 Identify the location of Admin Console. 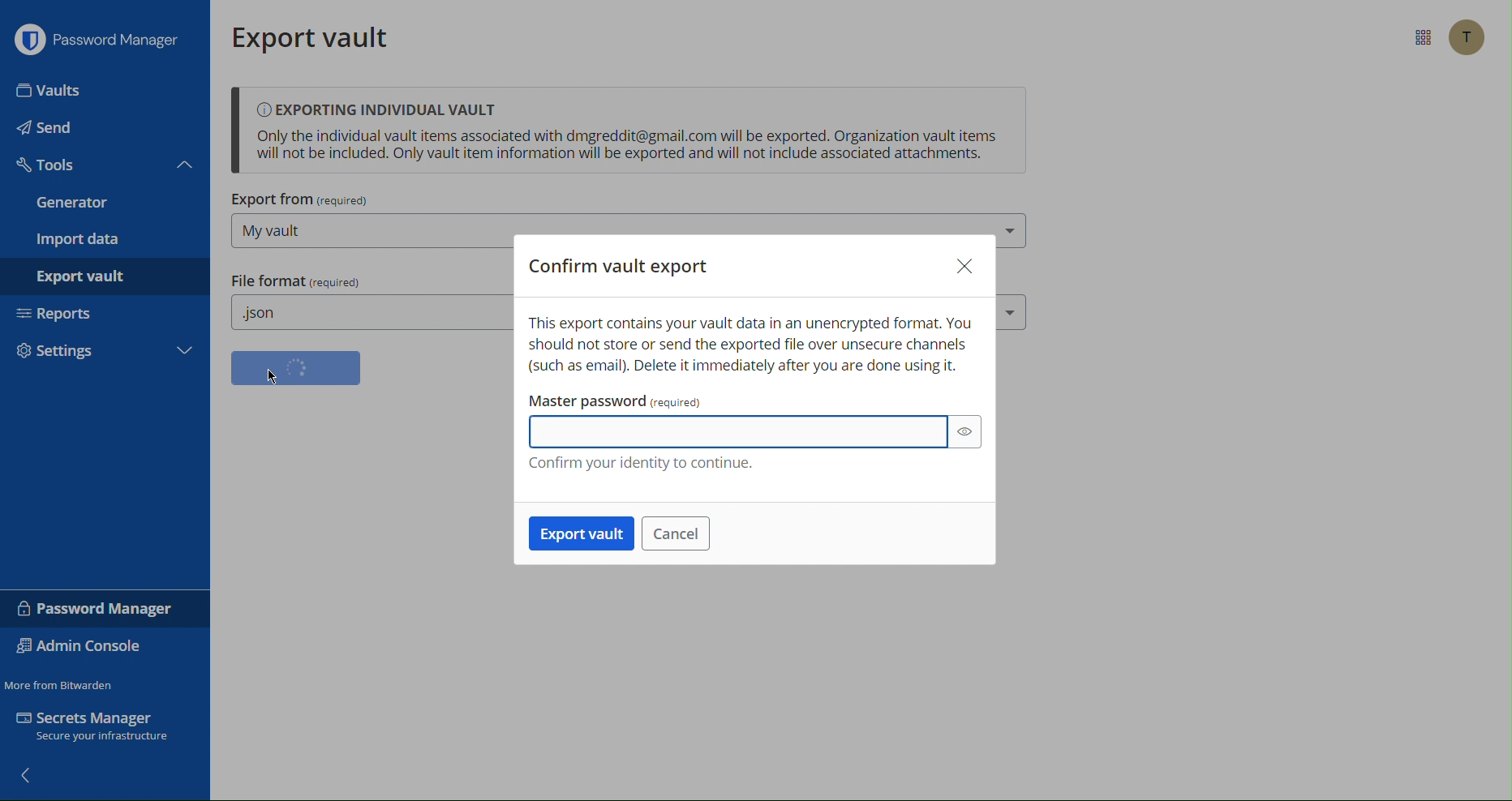
(85, 647).